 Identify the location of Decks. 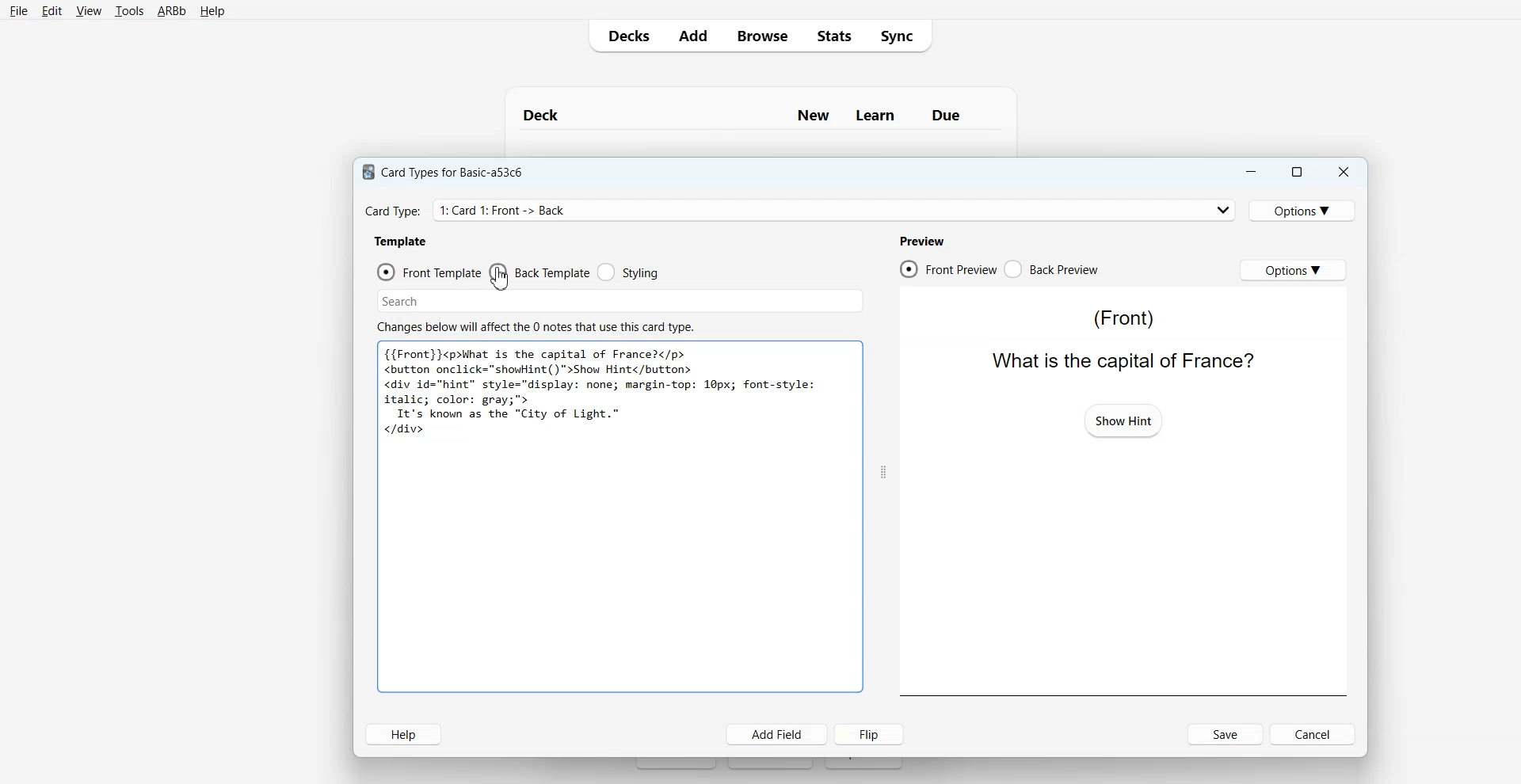
(625, 36).